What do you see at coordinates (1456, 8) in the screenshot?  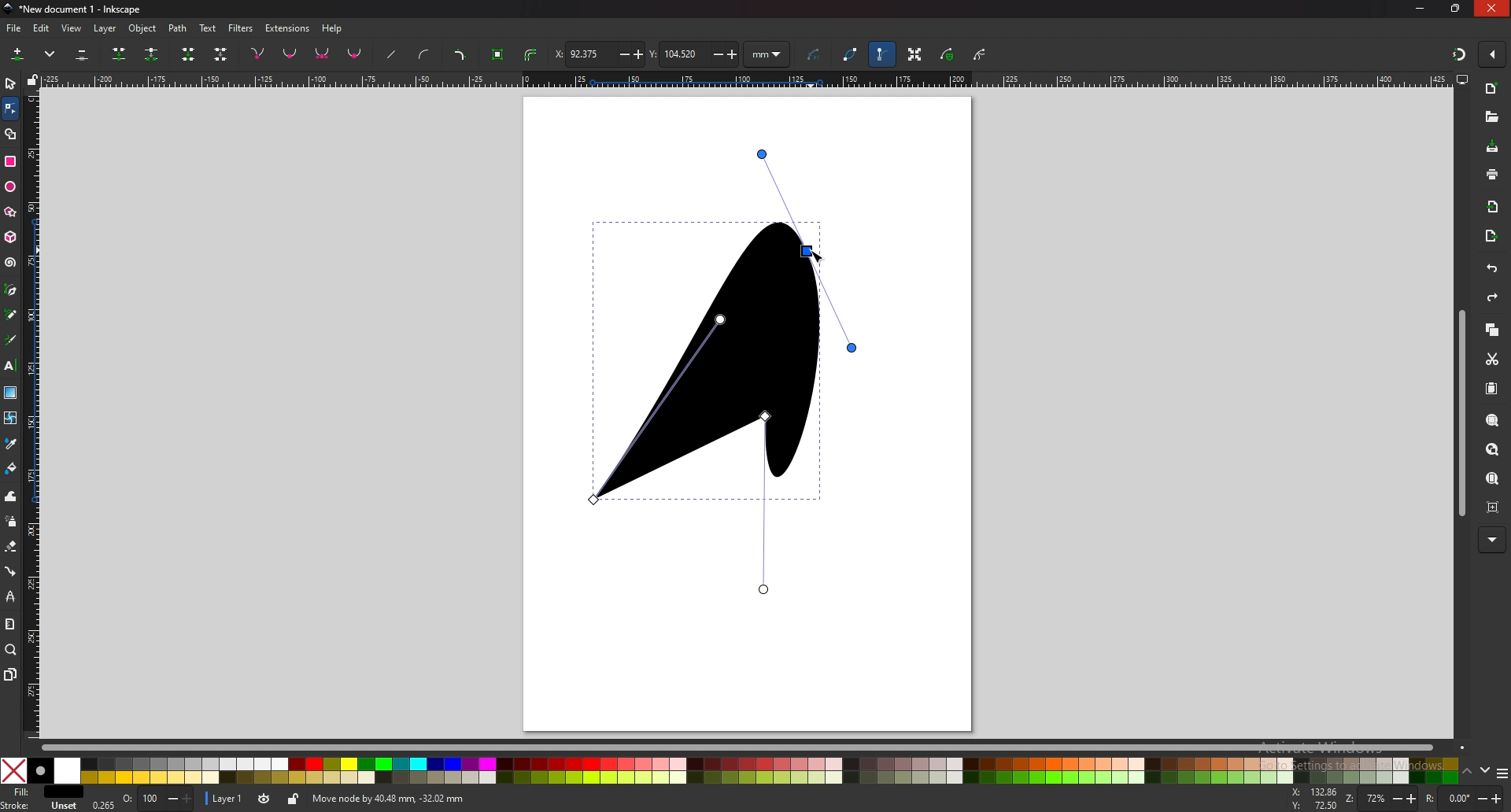 I see `resize` at bounding box center [1456, 8].